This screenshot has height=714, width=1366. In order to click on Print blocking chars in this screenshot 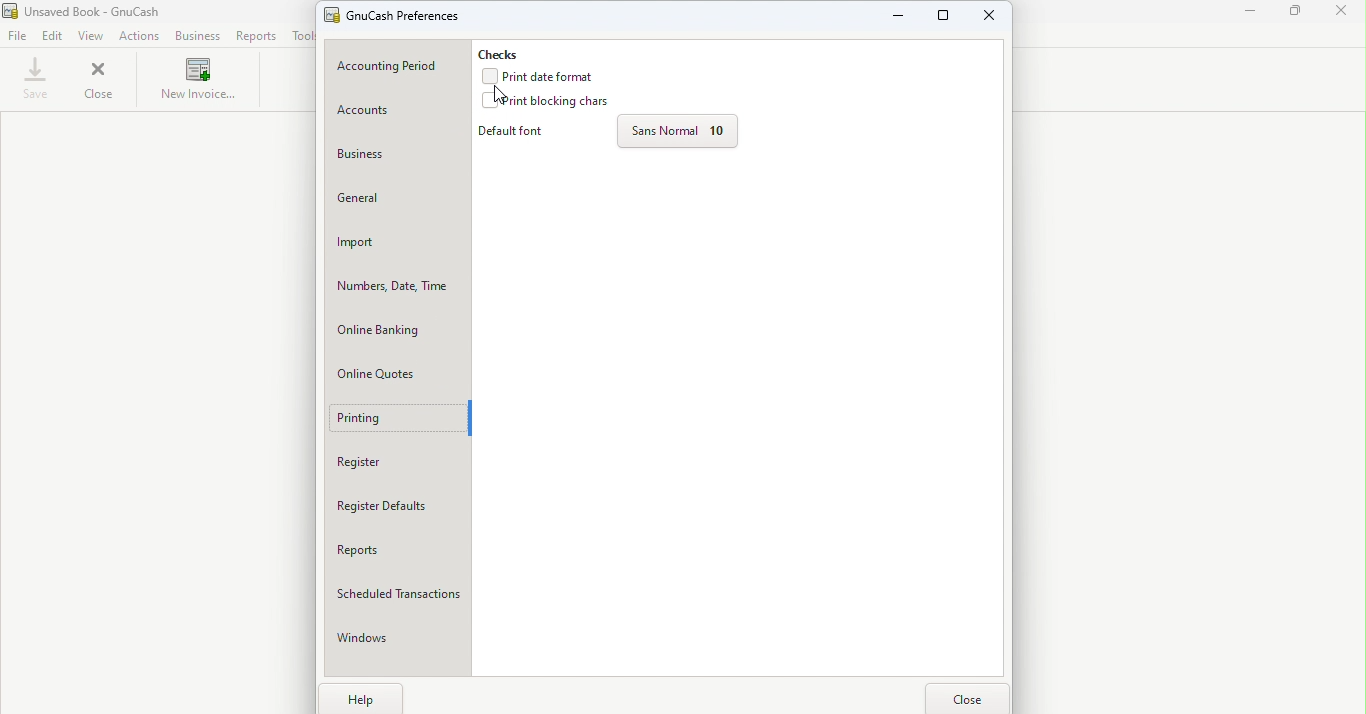, I will do `click(548, 103)`.